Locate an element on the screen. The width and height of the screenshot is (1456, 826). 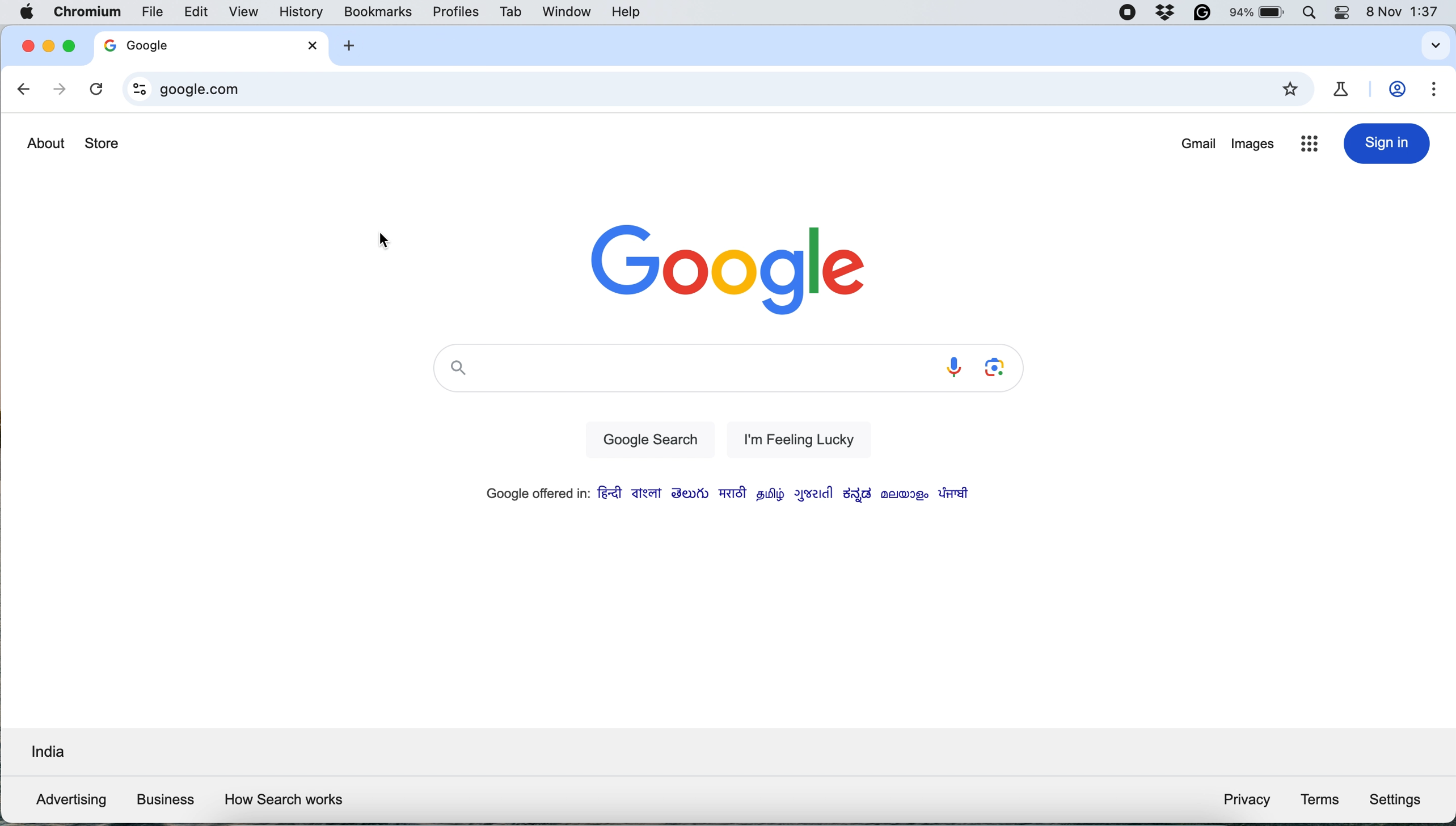
chromium is located at coordinates (85, 14).